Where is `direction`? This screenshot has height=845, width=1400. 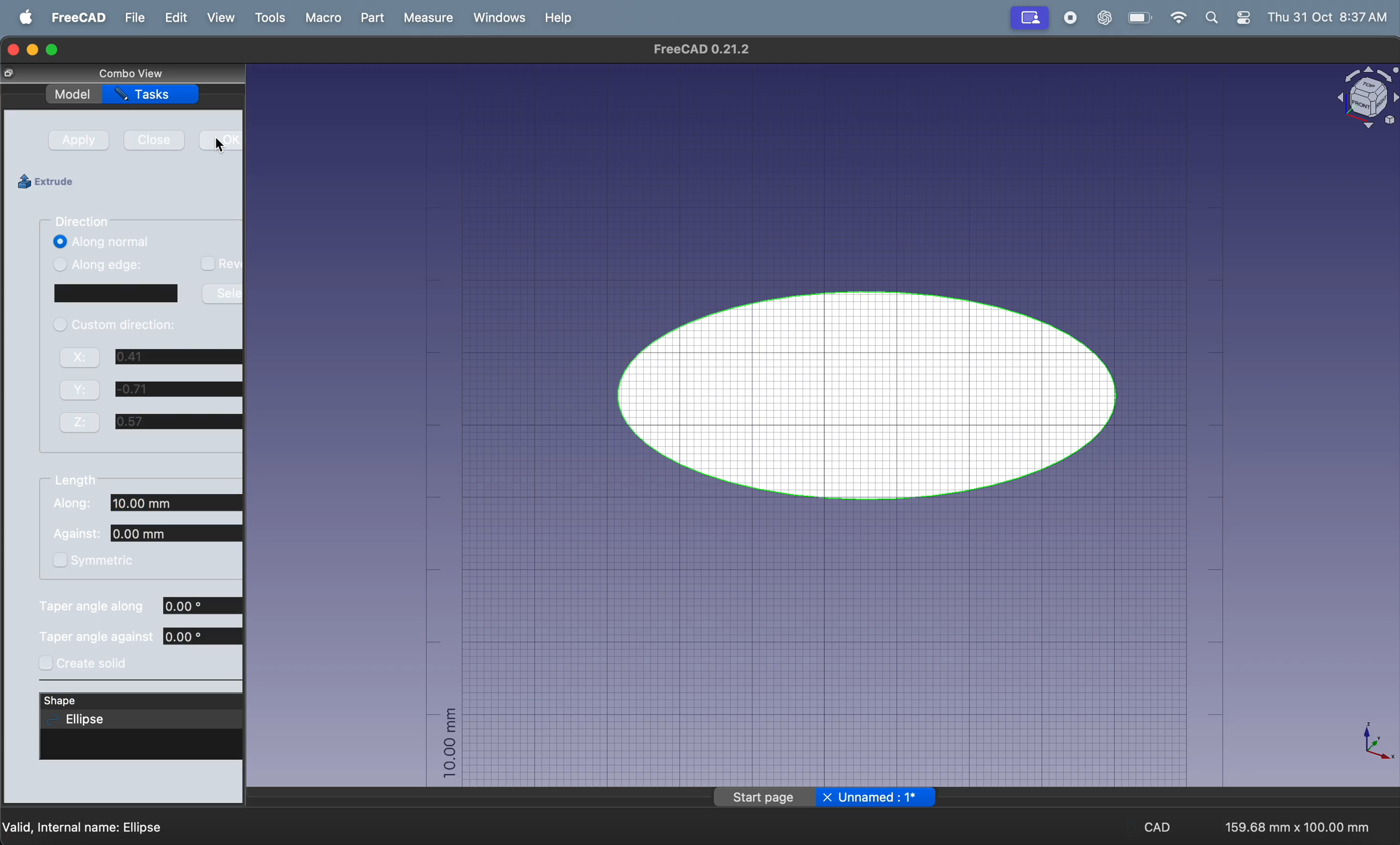
direction is located at coordinates (84, 222).